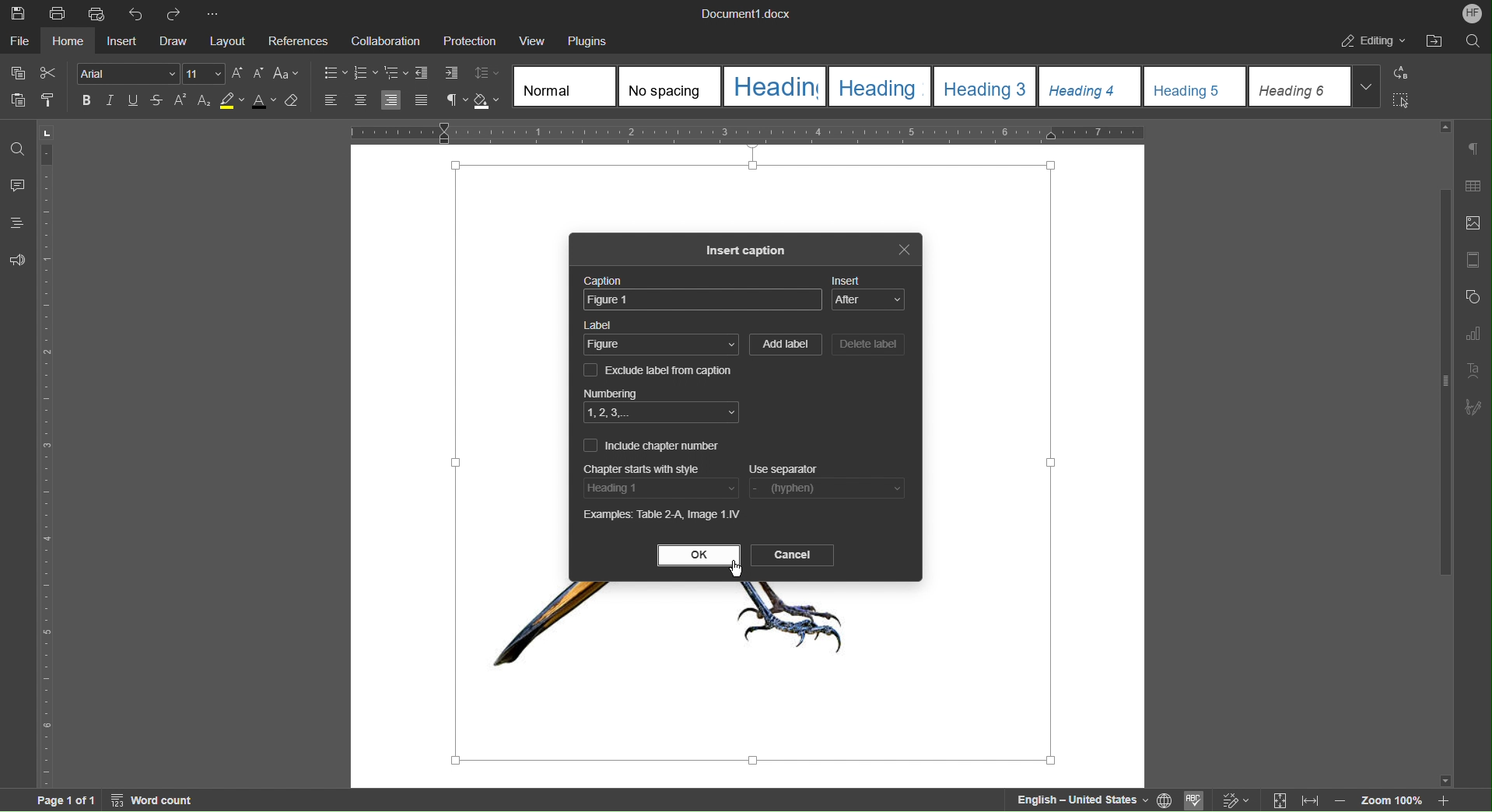 The image size is (1492, 812). What do you see at coordinates (751, 253) in the screenshot?
I see `Insert caption` at bounding box center [751, 253].